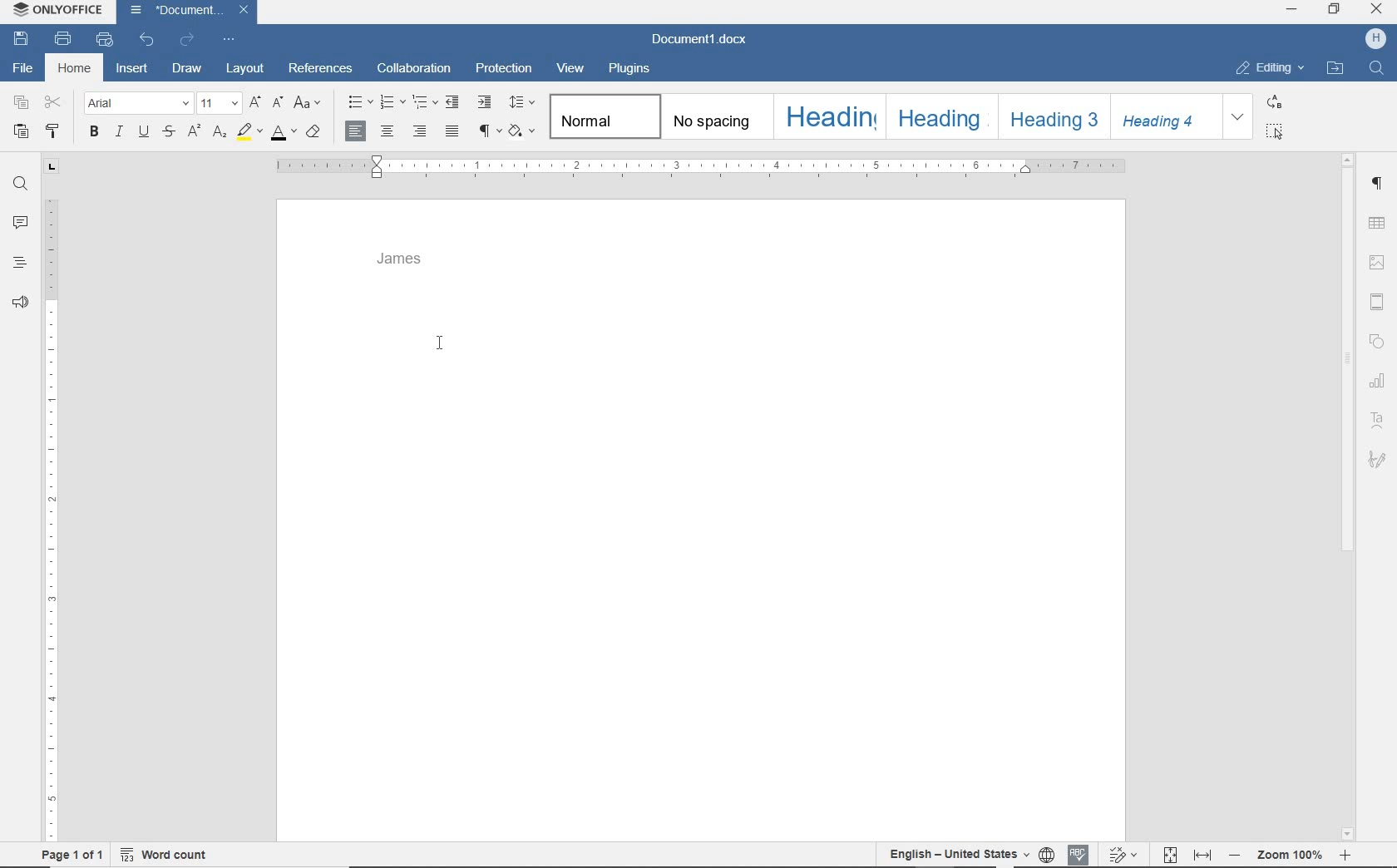  I want to click on decrease indent, so click(454, 101).